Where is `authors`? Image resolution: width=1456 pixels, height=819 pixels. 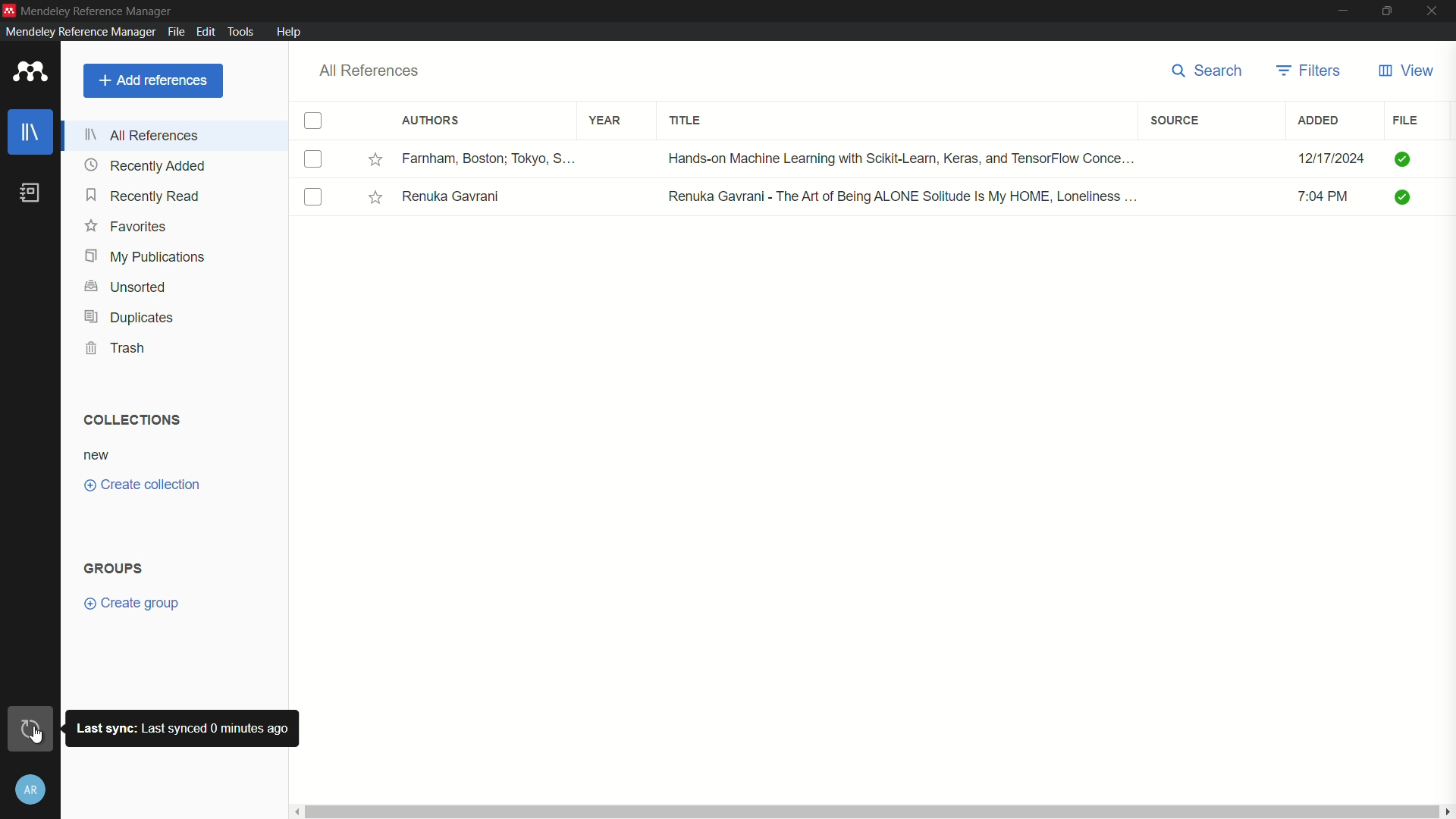
authors is located at coordinates (431, 121).